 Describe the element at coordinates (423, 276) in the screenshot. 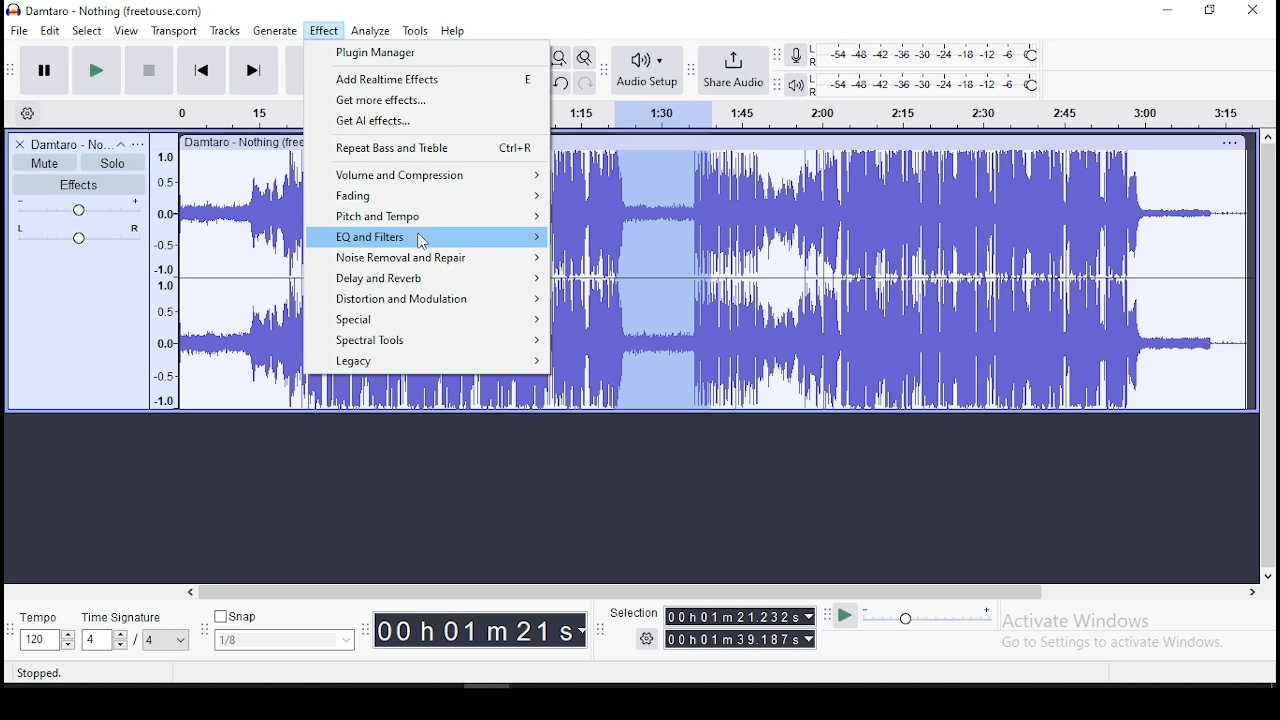

I see `delay and reverb` at that location.